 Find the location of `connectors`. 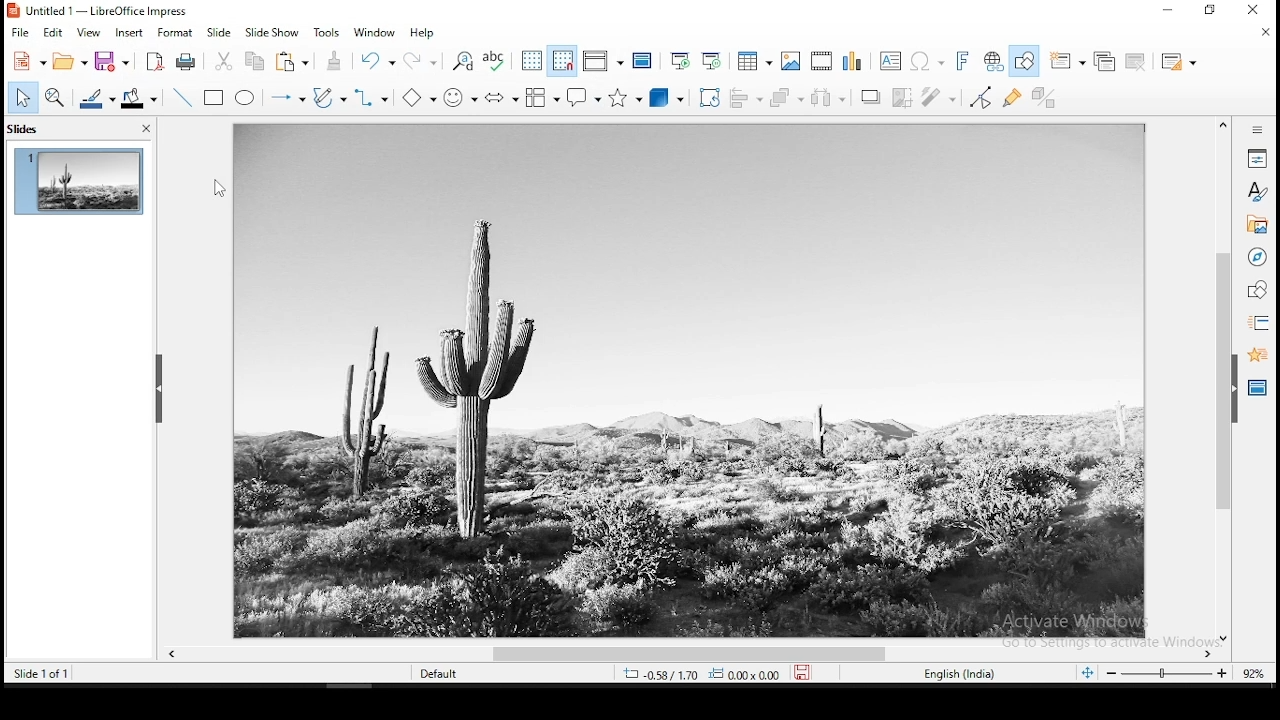

connectors is located at coordinates (372, 96).